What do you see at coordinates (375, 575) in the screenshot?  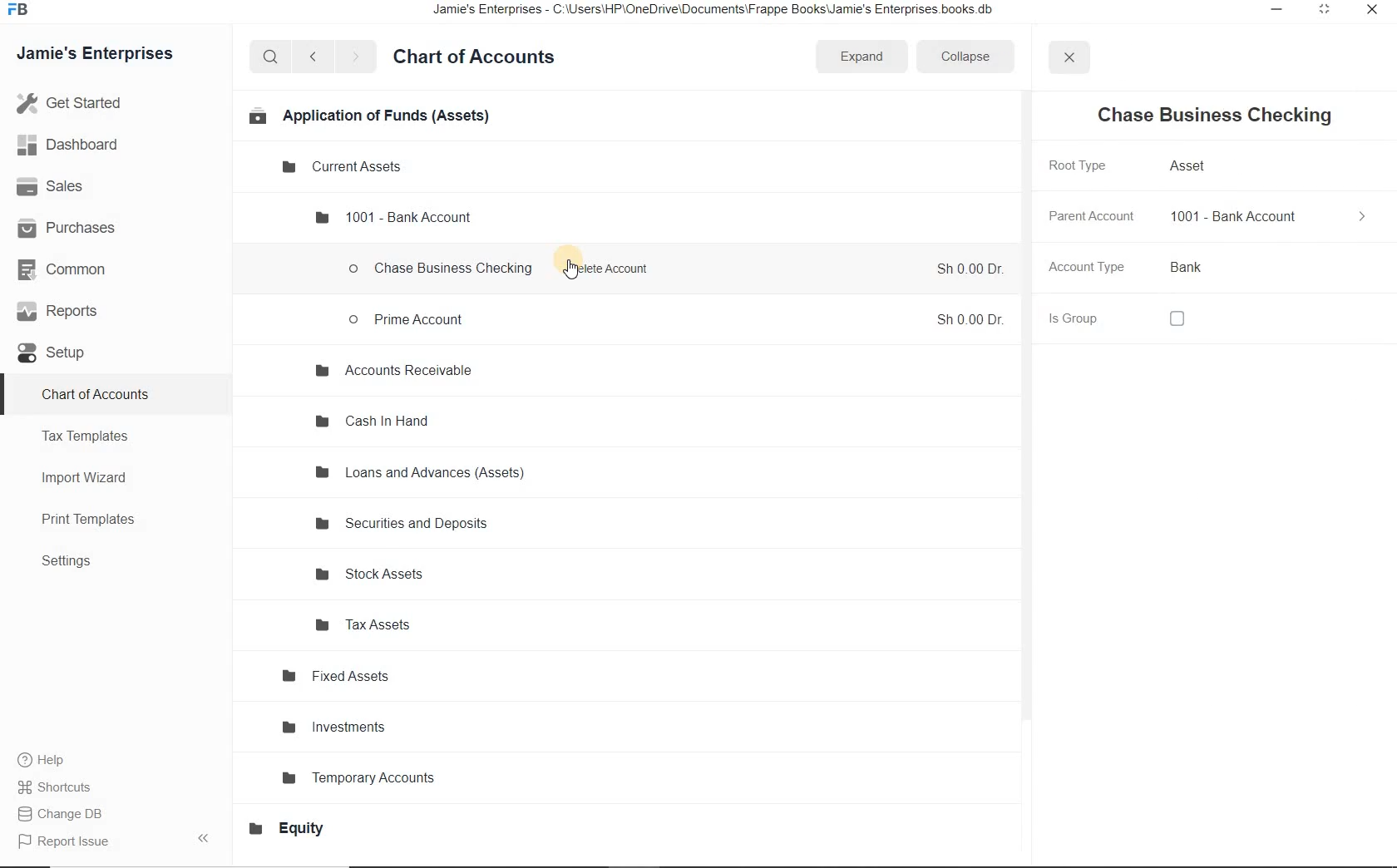 I see `Stock Assets` at bounding box center [375, 575].